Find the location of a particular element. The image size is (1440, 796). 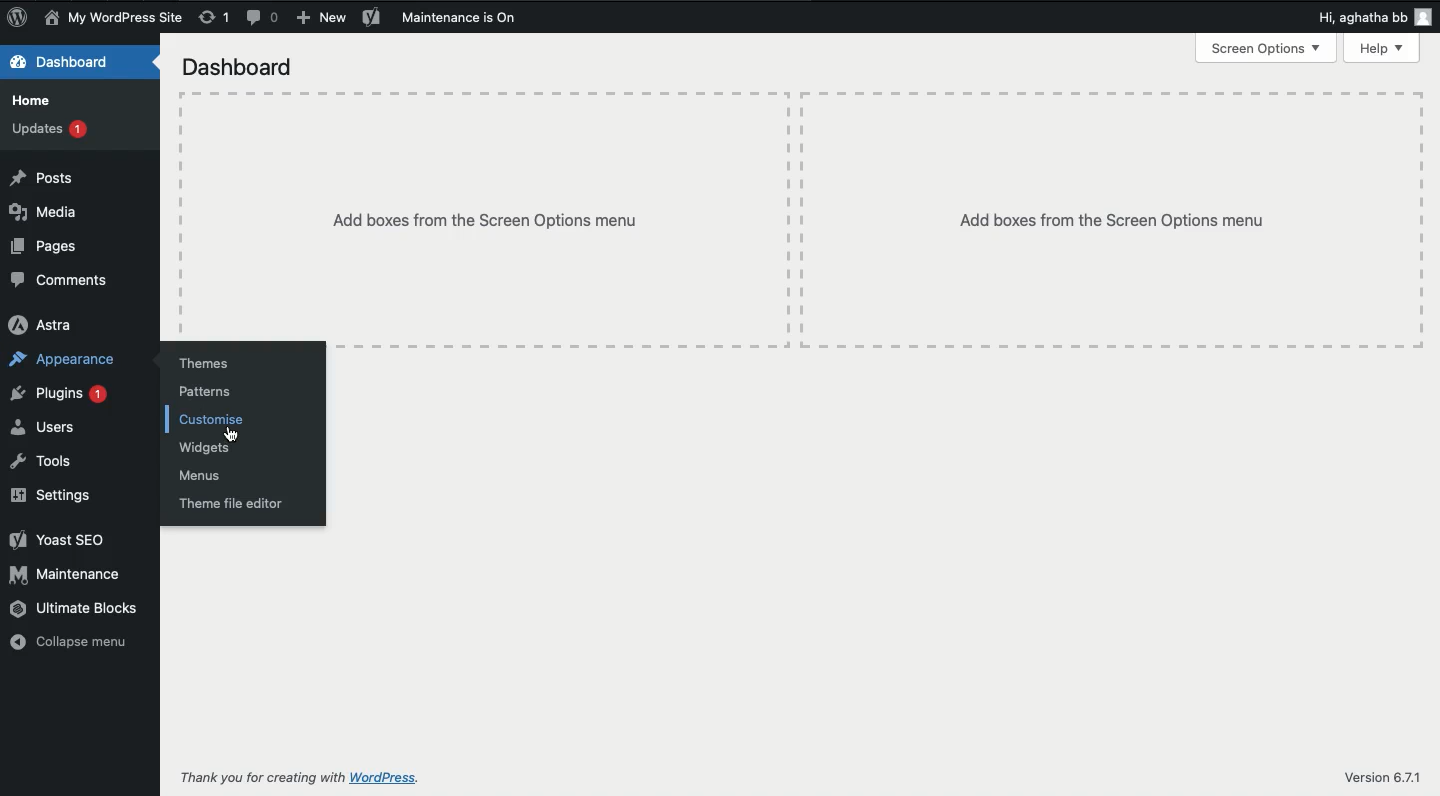

cursor is located at coordinates (233, 433).